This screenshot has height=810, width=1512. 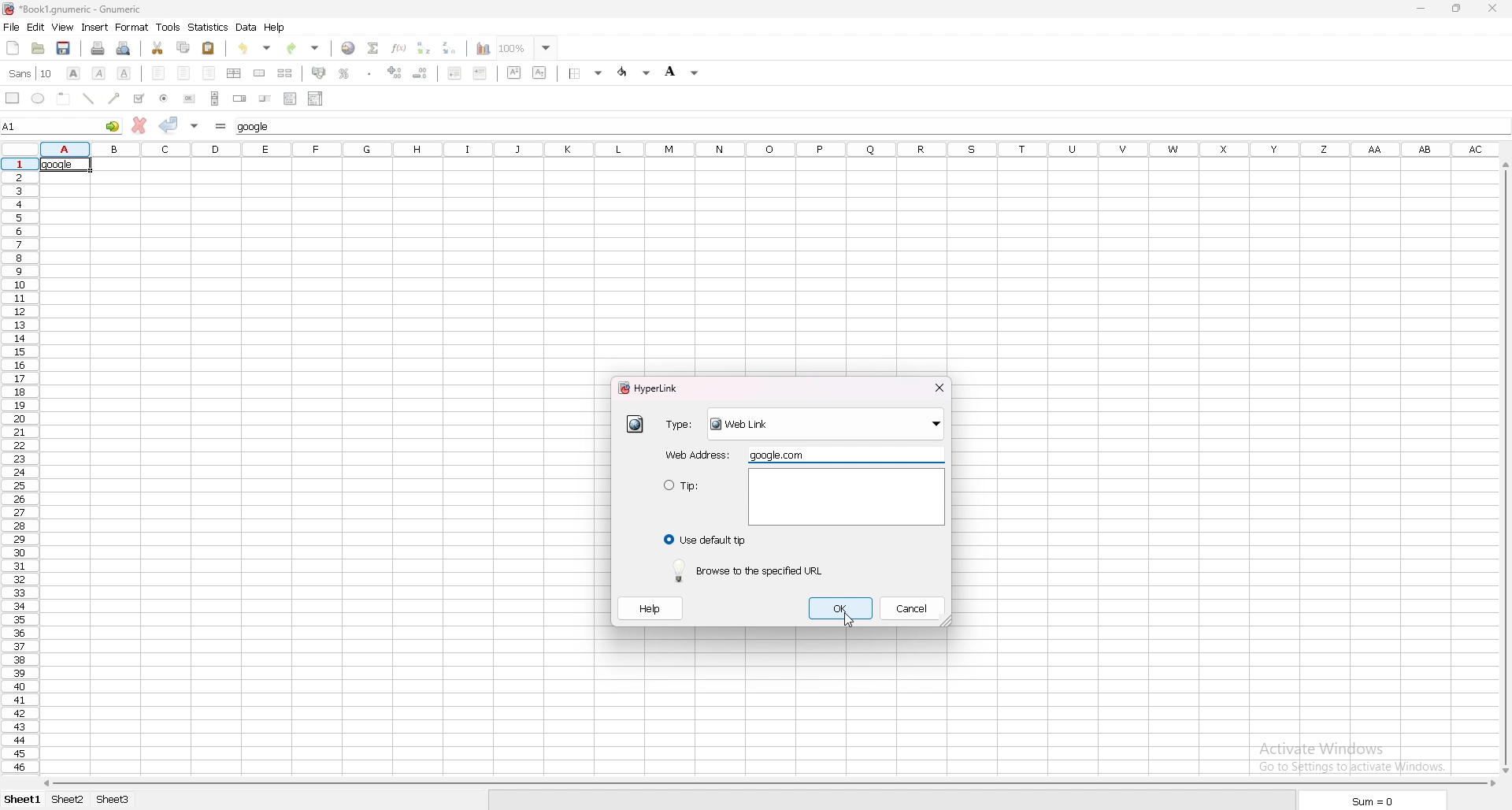 What do you see at coordinates (65, 98) in the screenshot?
I see `frame` at bounding box center [65, 98].